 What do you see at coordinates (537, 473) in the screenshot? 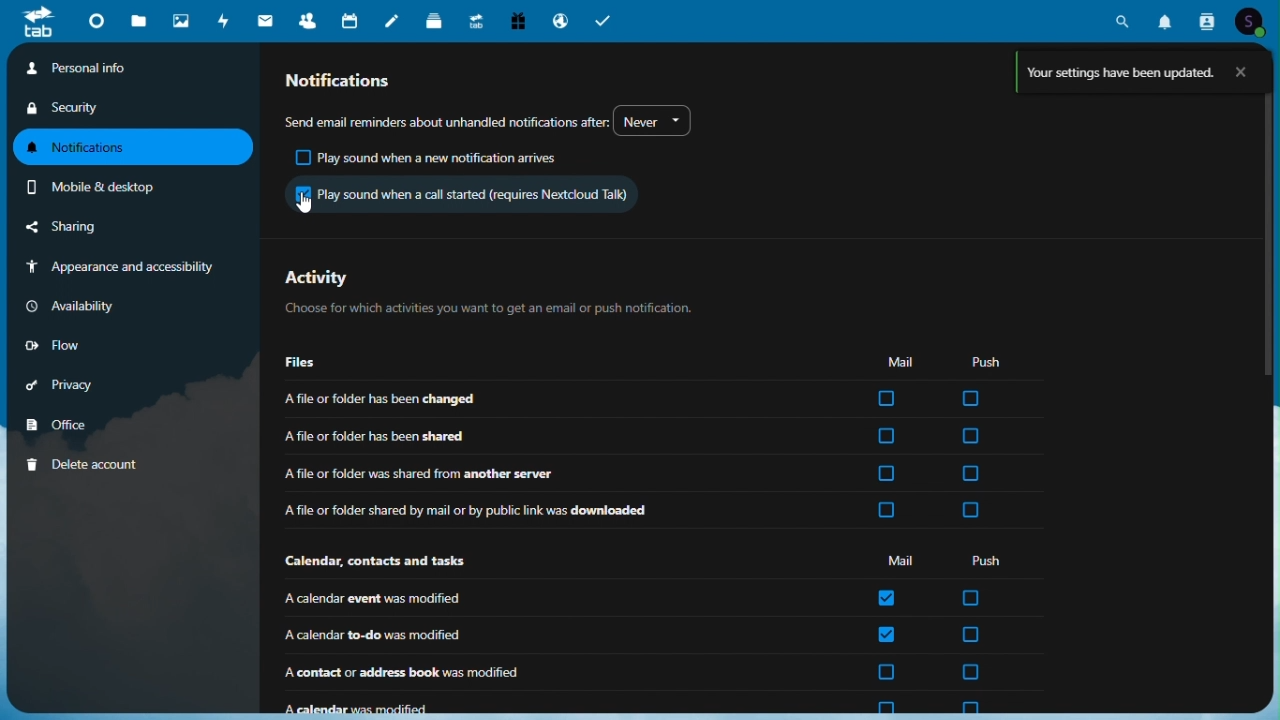
I see `A file or folder has been shared from another server` at bounding box center [537, 473].